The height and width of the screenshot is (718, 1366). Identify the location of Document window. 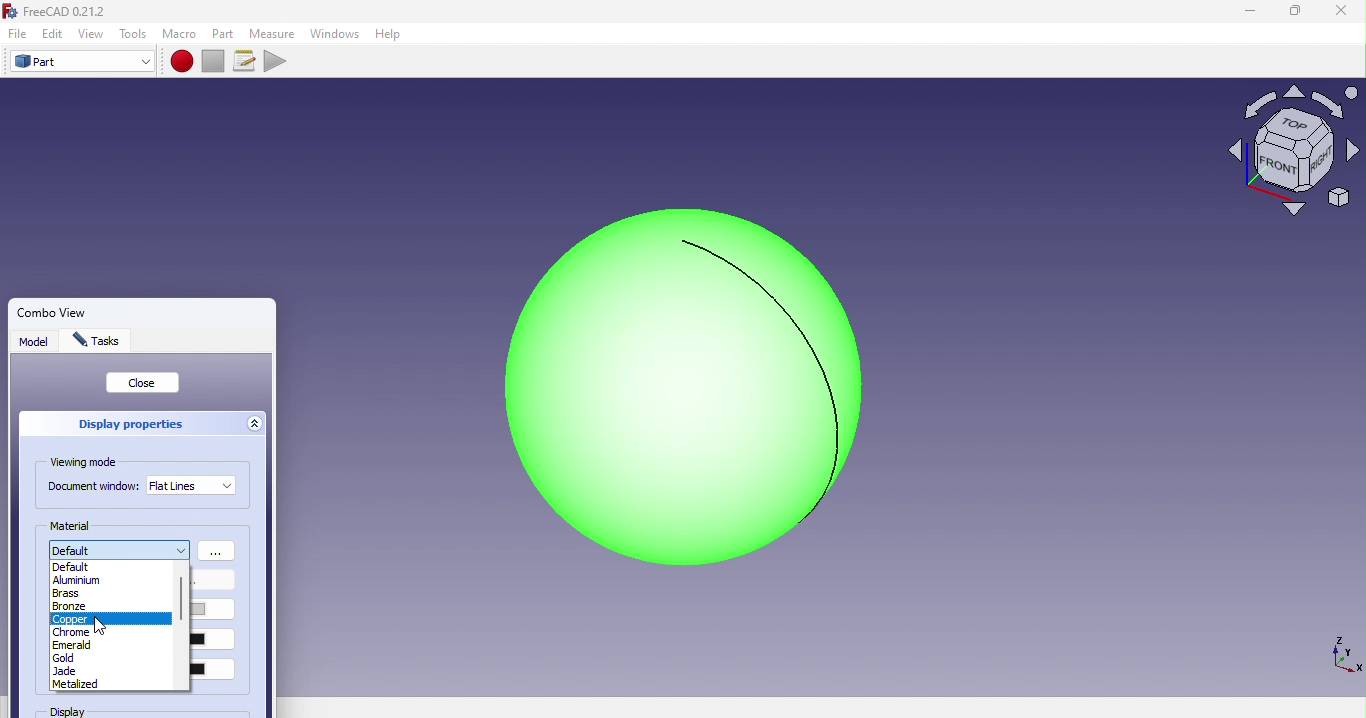
(93, 488).